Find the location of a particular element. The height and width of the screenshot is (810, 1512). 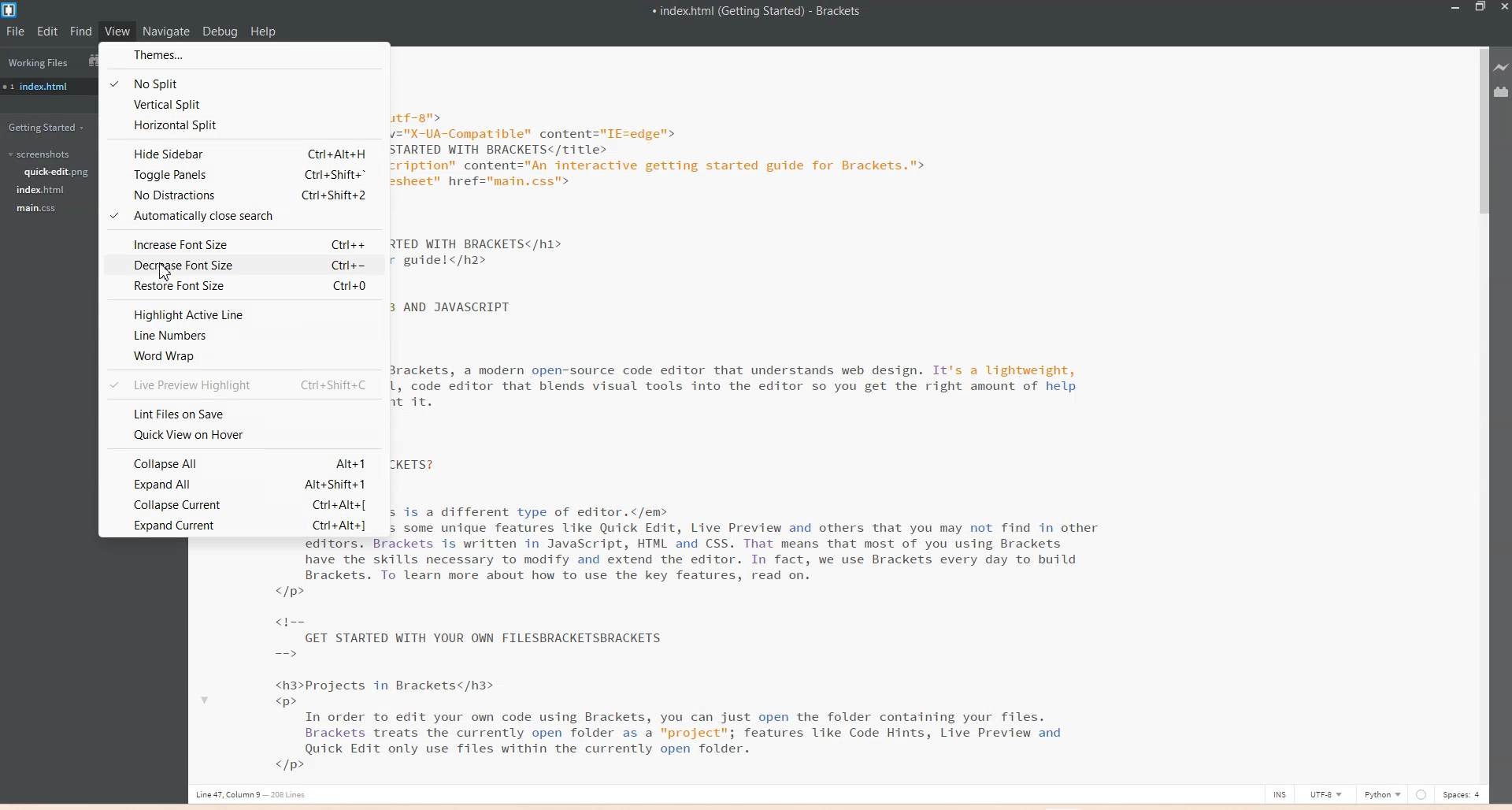

Vertical Split is located at coordinates (244, 106).